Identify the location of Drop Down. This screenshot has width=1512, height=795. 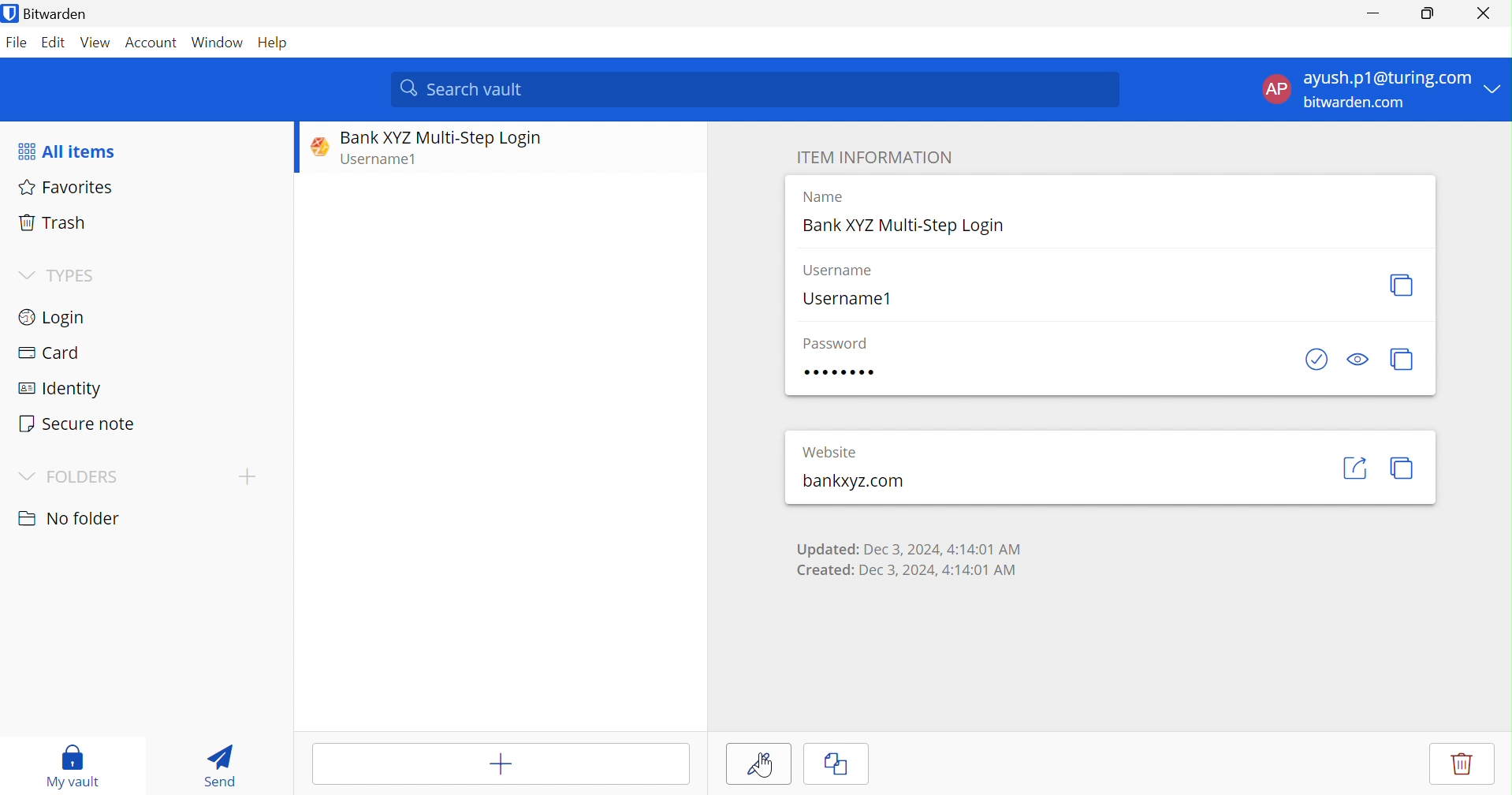
(26, 476).